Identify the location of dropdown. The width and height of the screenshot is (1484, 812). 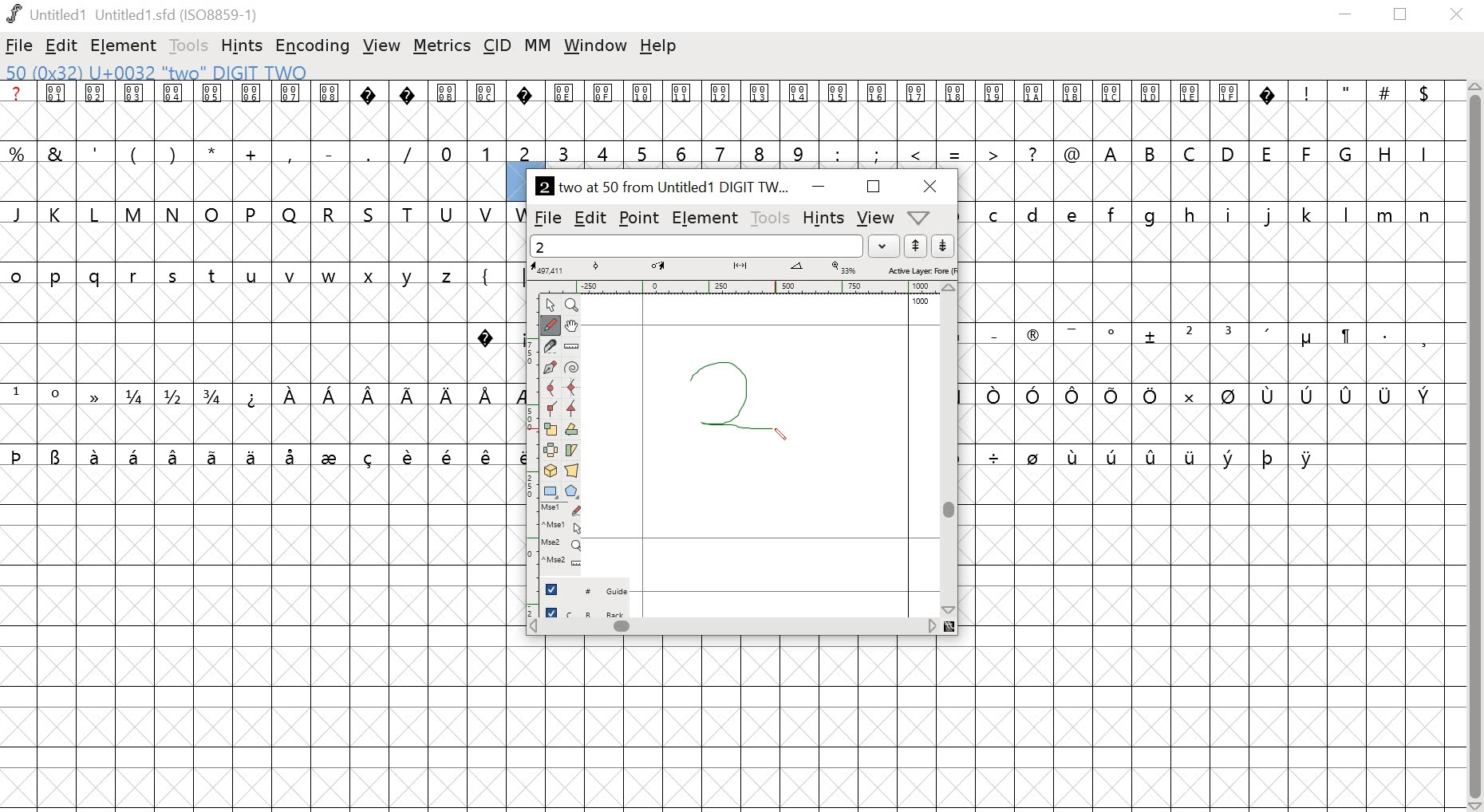
(884, 246).